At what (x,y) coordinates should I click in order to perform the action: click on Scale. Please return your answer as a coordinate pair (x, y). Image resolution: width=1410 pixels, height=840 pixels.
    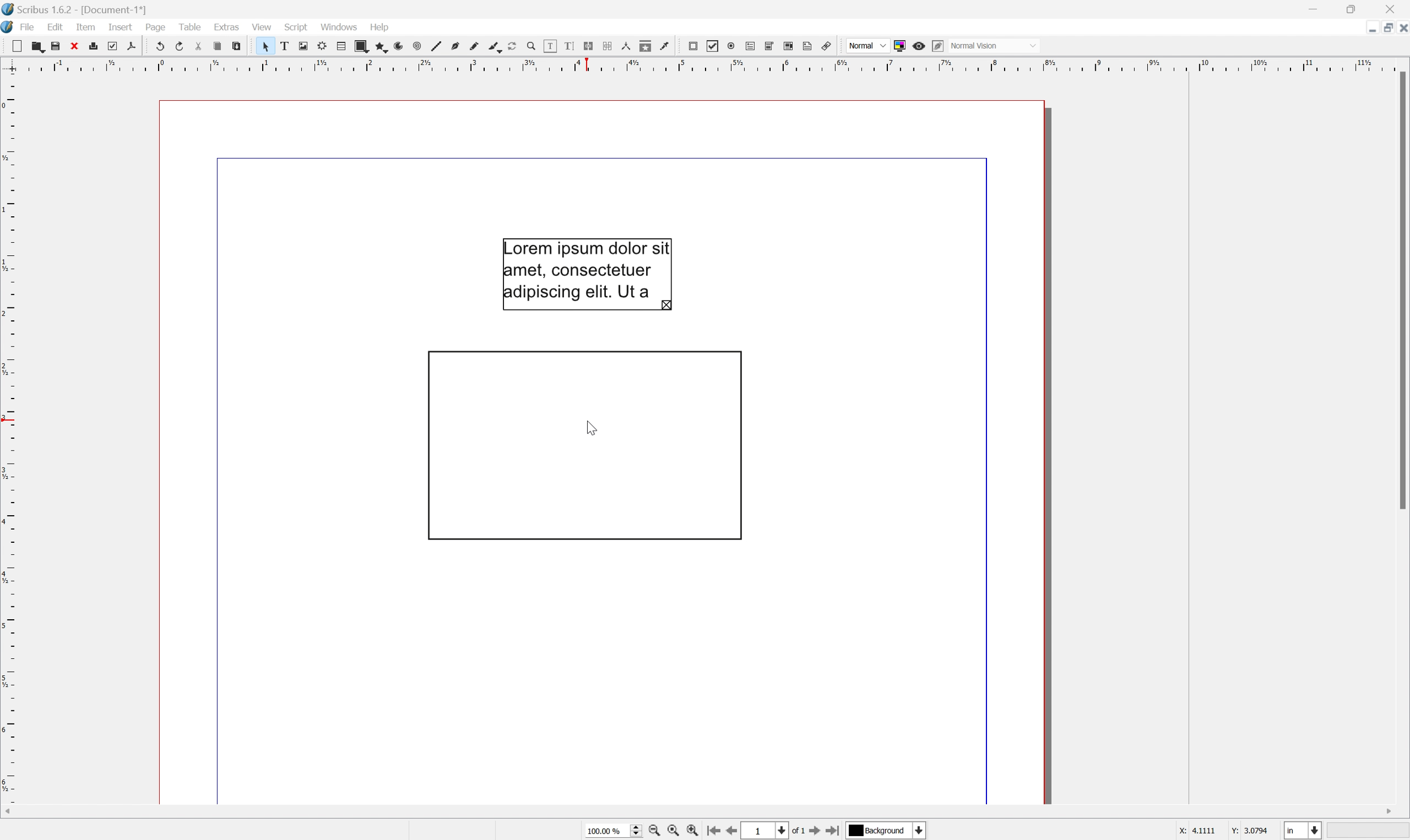
    Looking at the image, I should click on (704, 64).